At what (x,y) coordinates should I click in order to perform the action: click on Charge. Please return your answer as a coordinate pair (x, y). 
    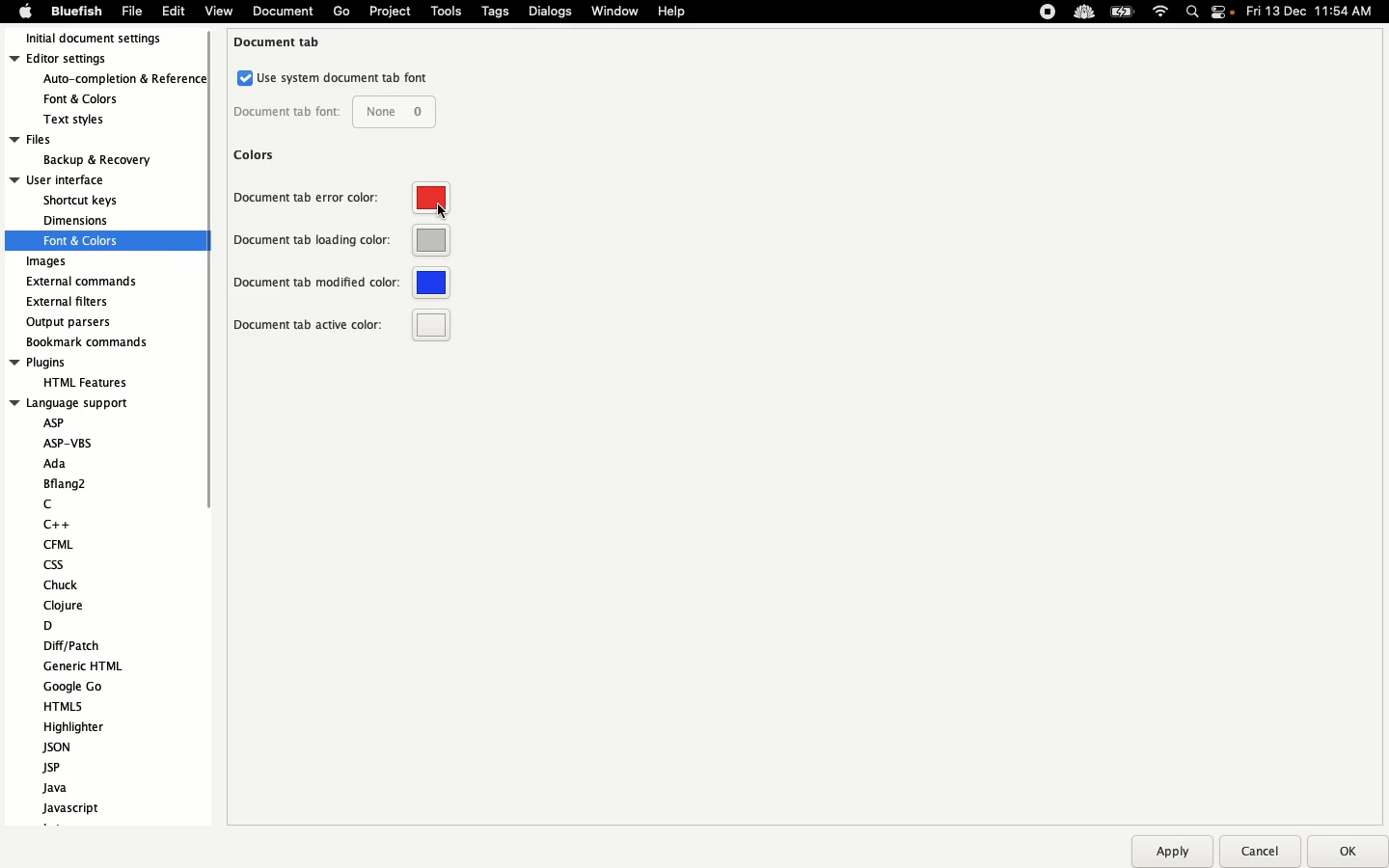
    Looking at the image, I should click on (1122, 14).